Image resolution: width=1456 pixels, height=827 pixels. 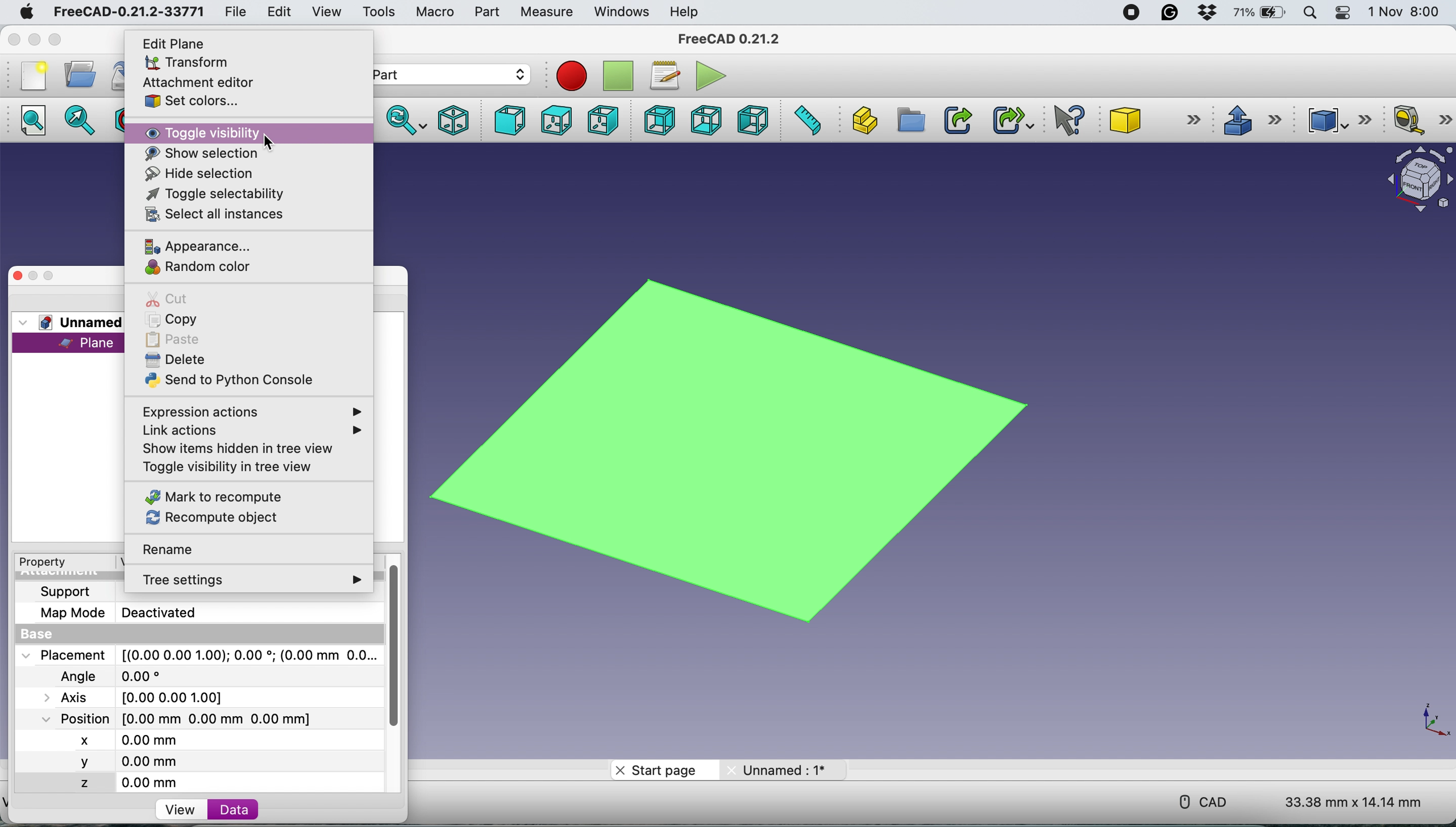 What do you see at coordinates (126, 12) in the screenshot?
I see `FreeCAD-0.21.2-33771` at bounding box center [126, 12].